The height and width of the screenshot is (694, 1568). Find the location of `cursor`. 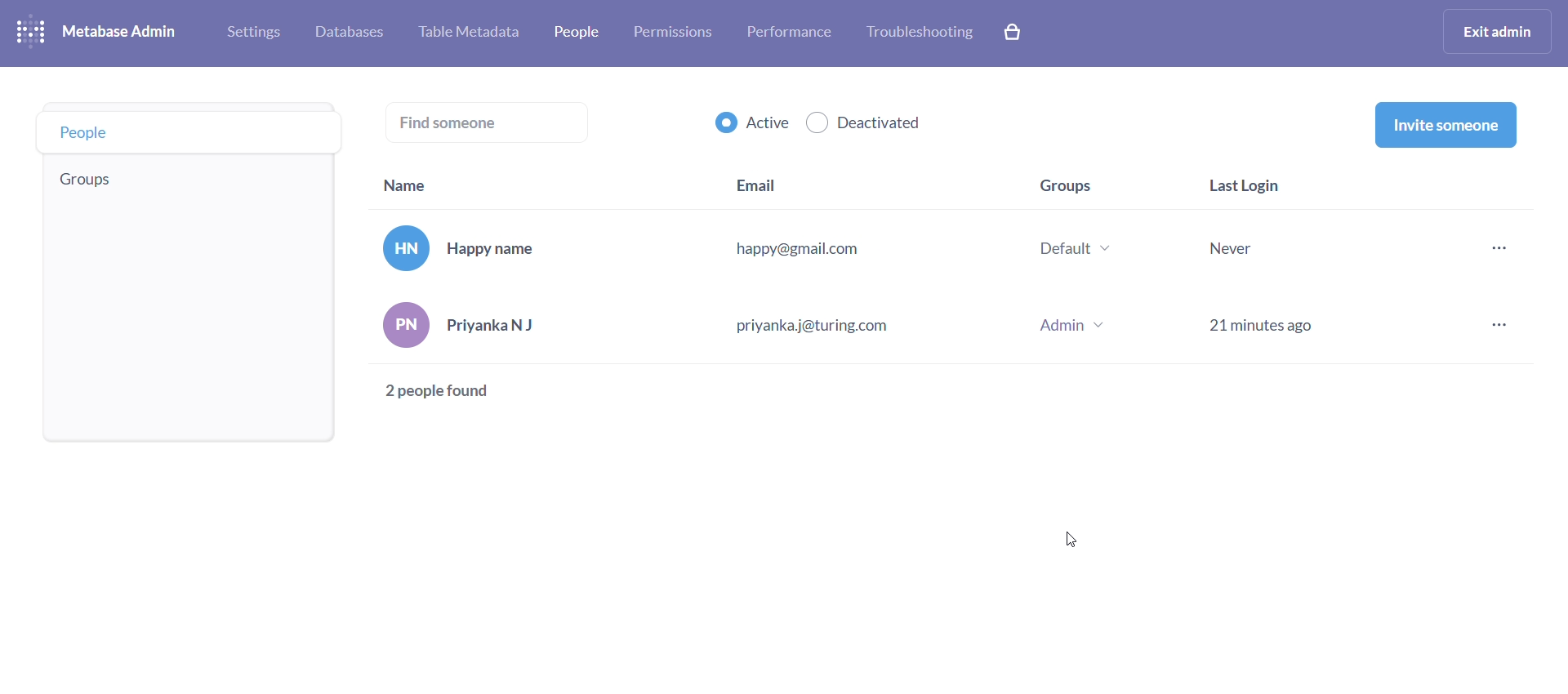

cursor is located at coordinates (1071, 539).